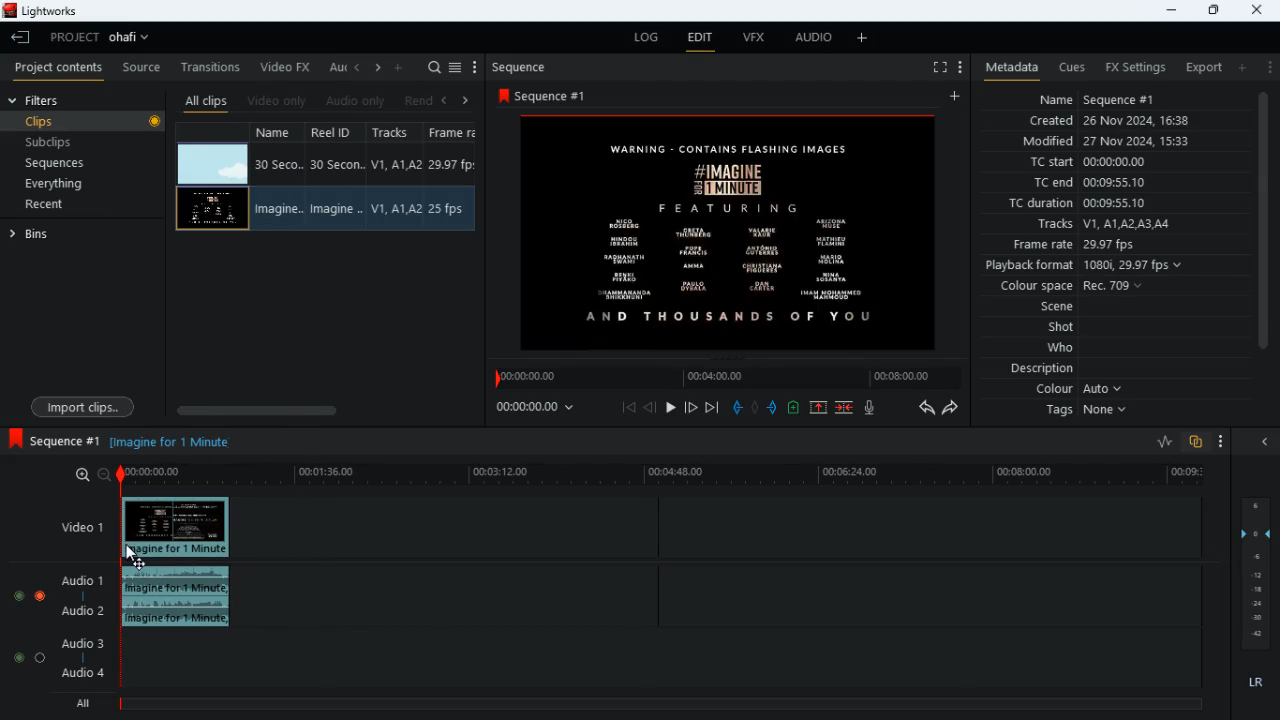  What do you see at coordinates (1133, 65) in the screenshot?
I see `fx settings` at bounding box center [1133, 65].